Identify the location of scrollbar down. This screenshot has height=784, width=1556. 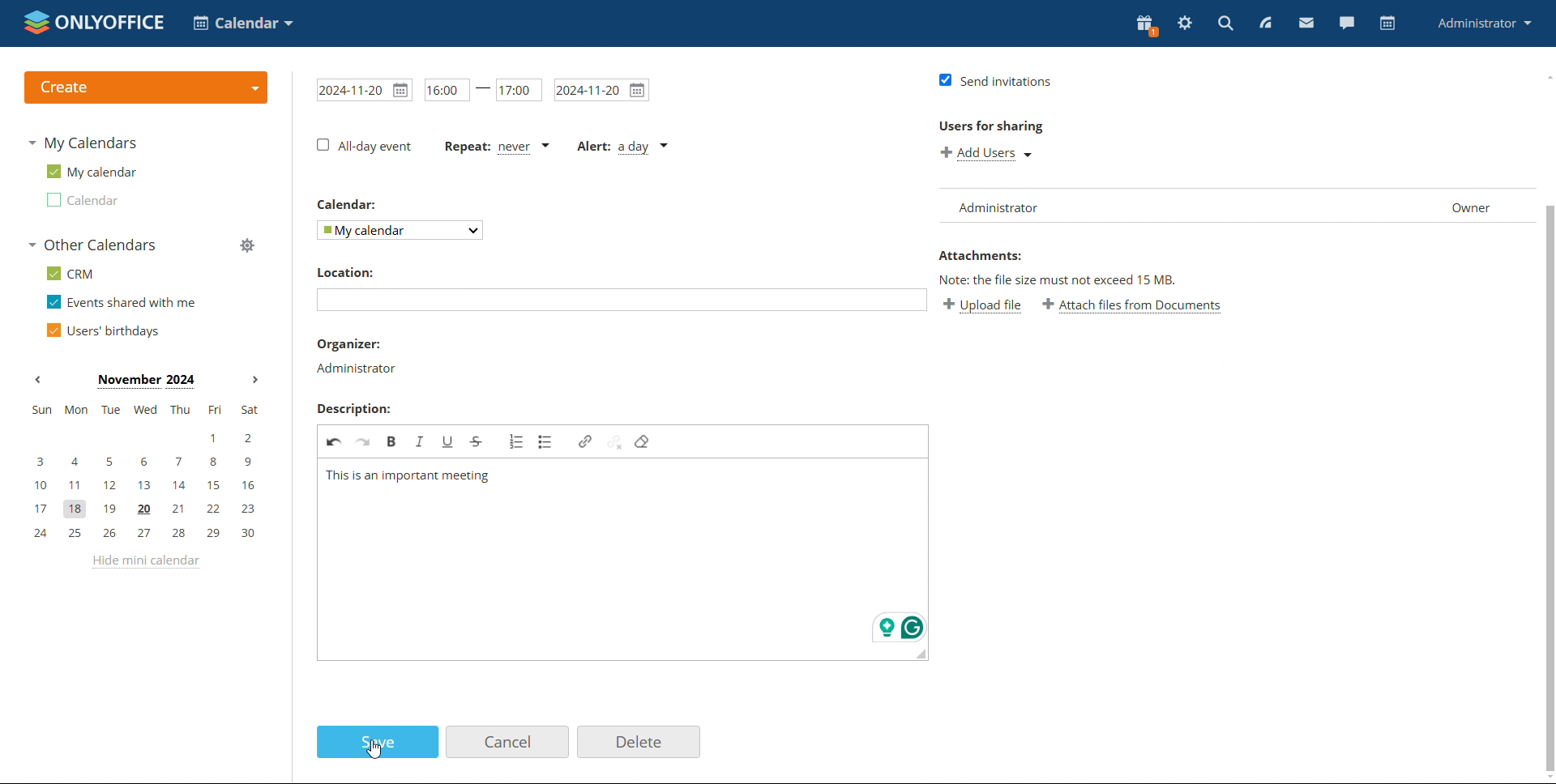
(1550, 488).